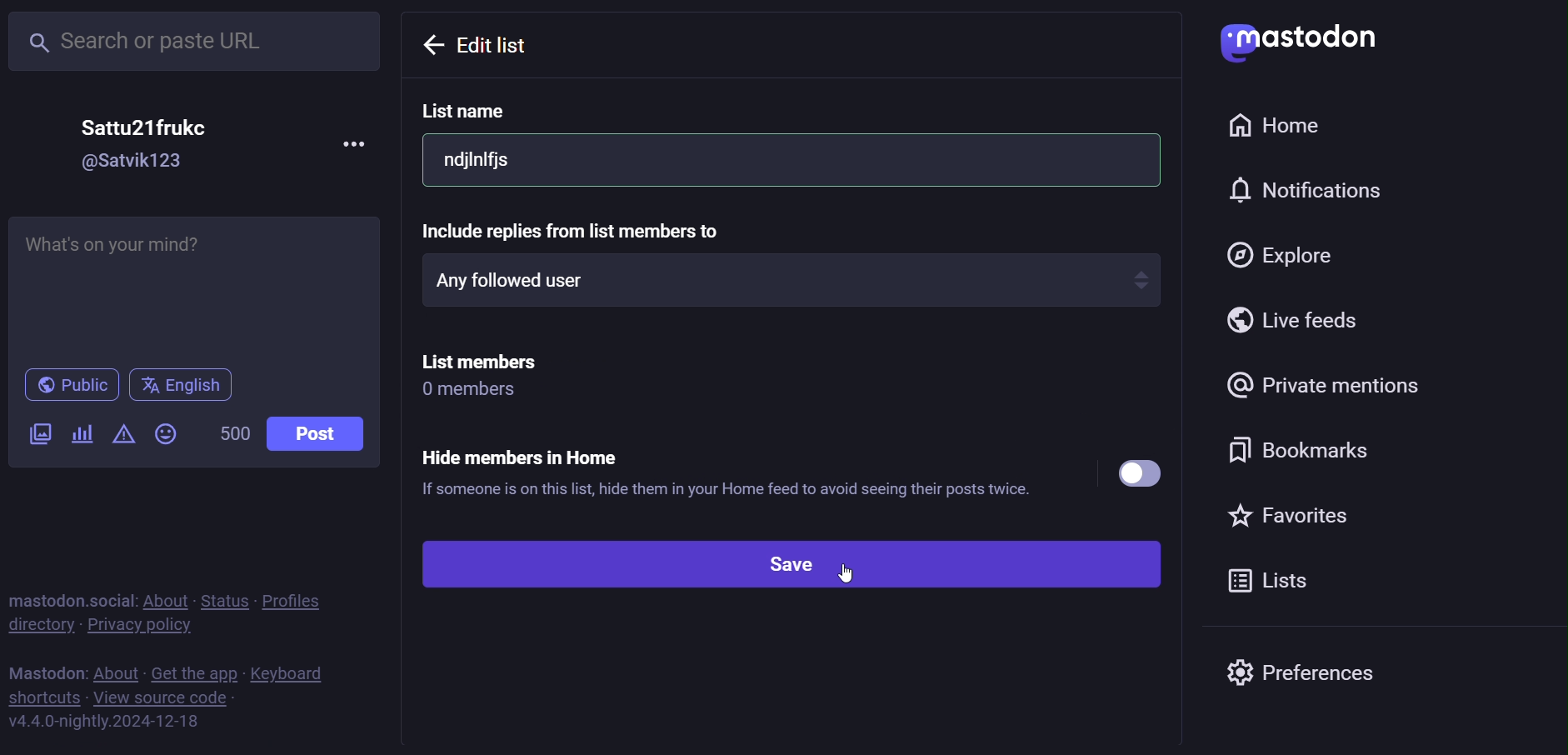 The image size is (1568, 755). What do you see at coordinates (164, 697) in the screenshot?
I see `view source code` at bounding box center [164, 697].